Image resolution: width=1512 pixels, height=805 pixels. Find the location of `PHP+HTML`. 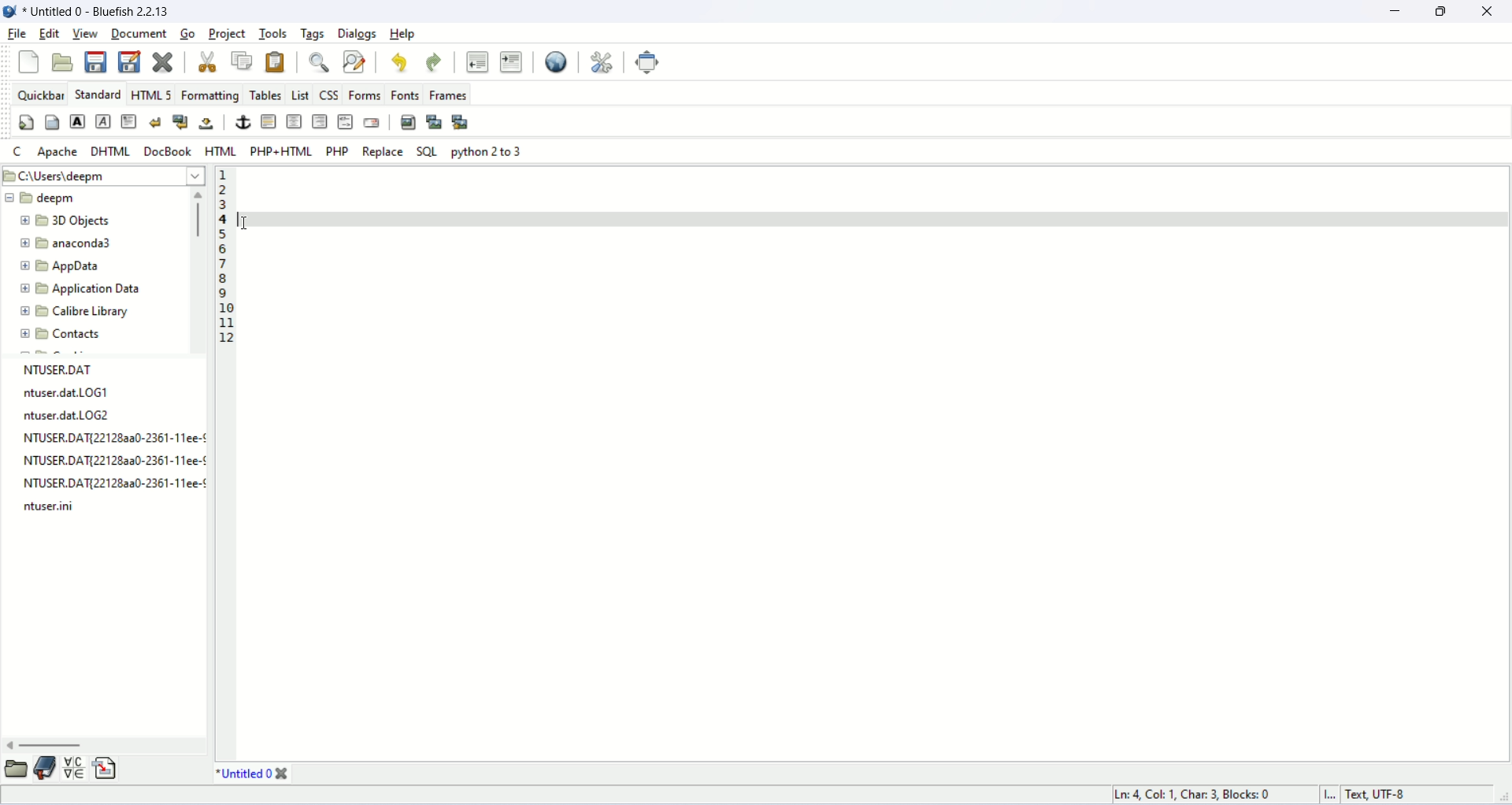

PHP+HTML is located at coordinates (282, 151).